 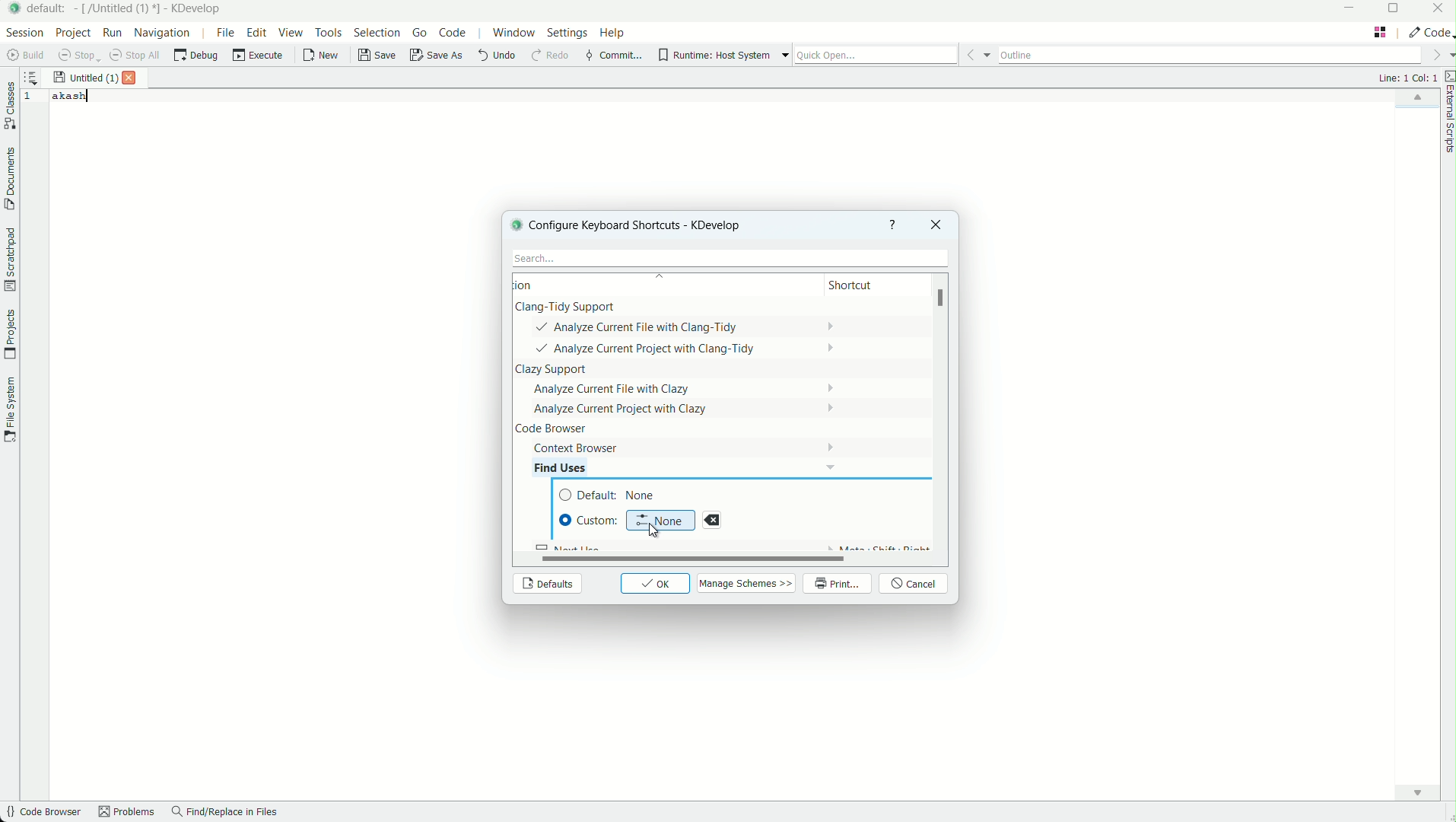 What do you see at coordinates (934, 225) in the screenshot?
I see `close window` at bounding box center [934, 225].